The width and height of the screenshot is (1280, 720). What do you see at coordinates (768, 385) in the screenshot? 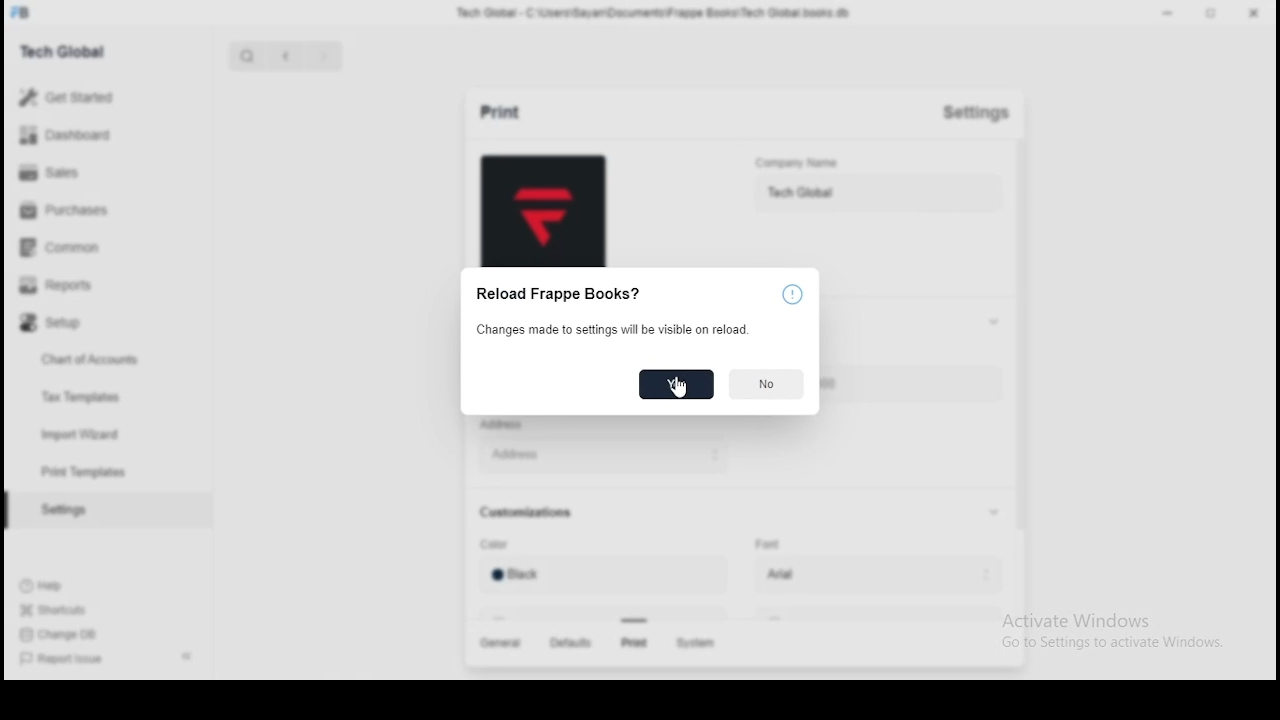
I see `no ` at bounding box center [768, 385].